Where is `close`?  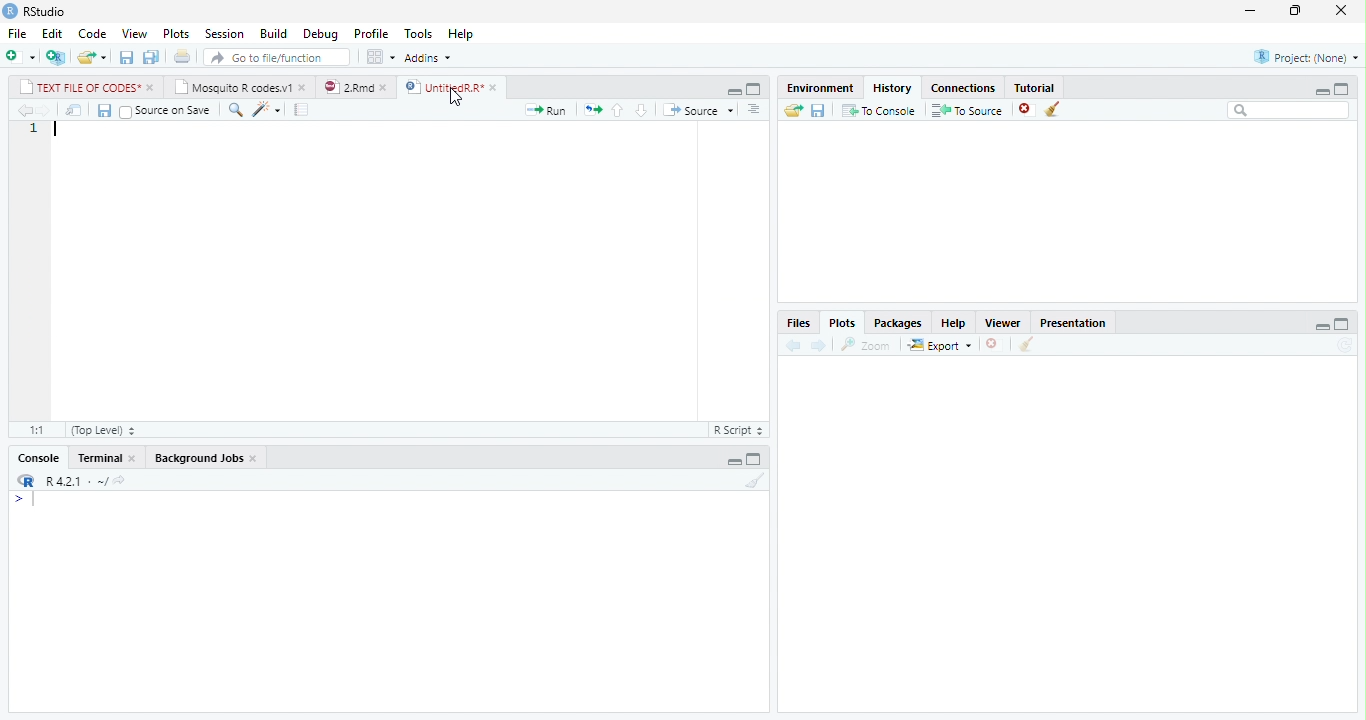
close is located at coordinates (995, 344).